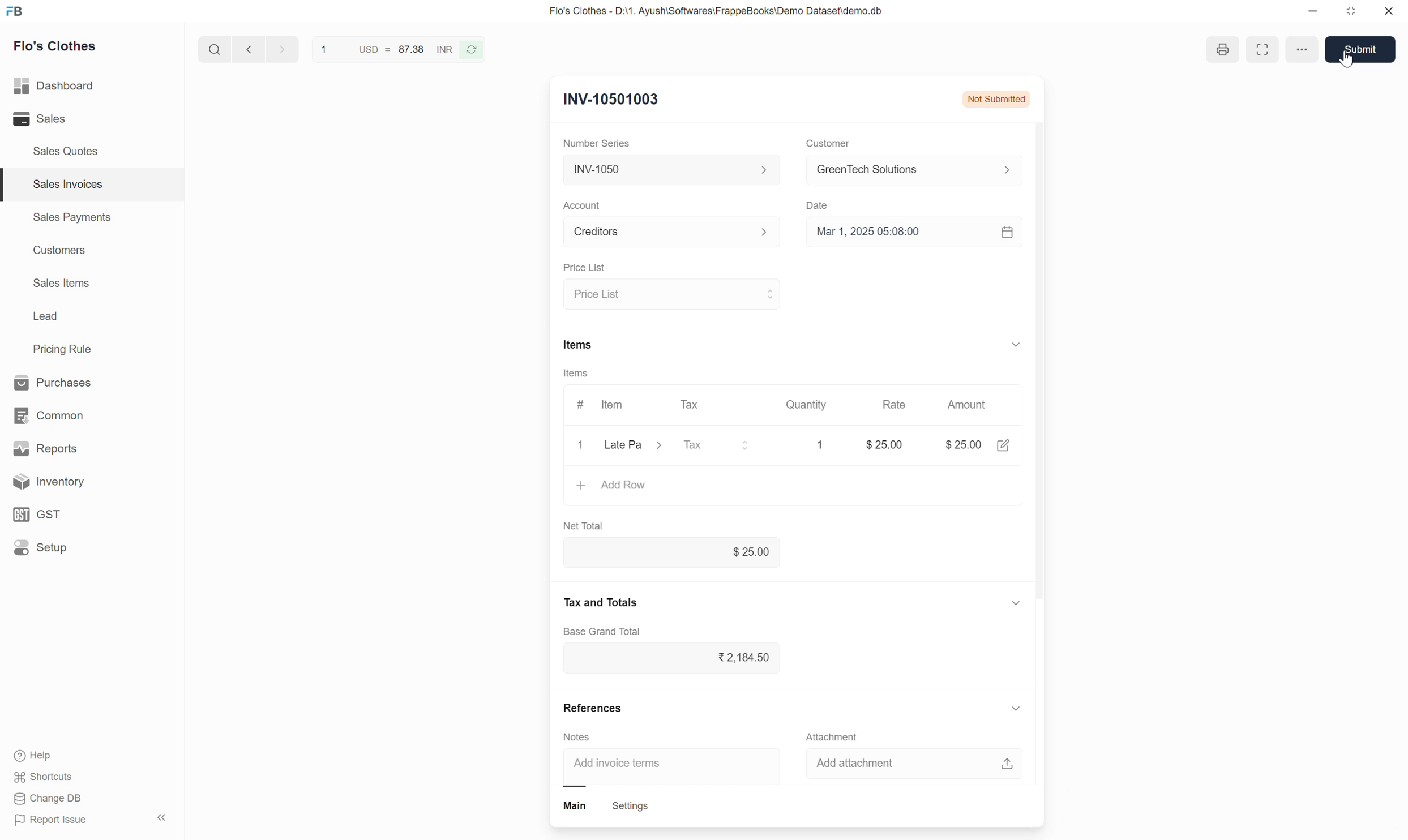 This screenshot has height=840, width=1408. Describe the element at coordinates (588, 524) in the screenshot. I see `Net Total` at that location.